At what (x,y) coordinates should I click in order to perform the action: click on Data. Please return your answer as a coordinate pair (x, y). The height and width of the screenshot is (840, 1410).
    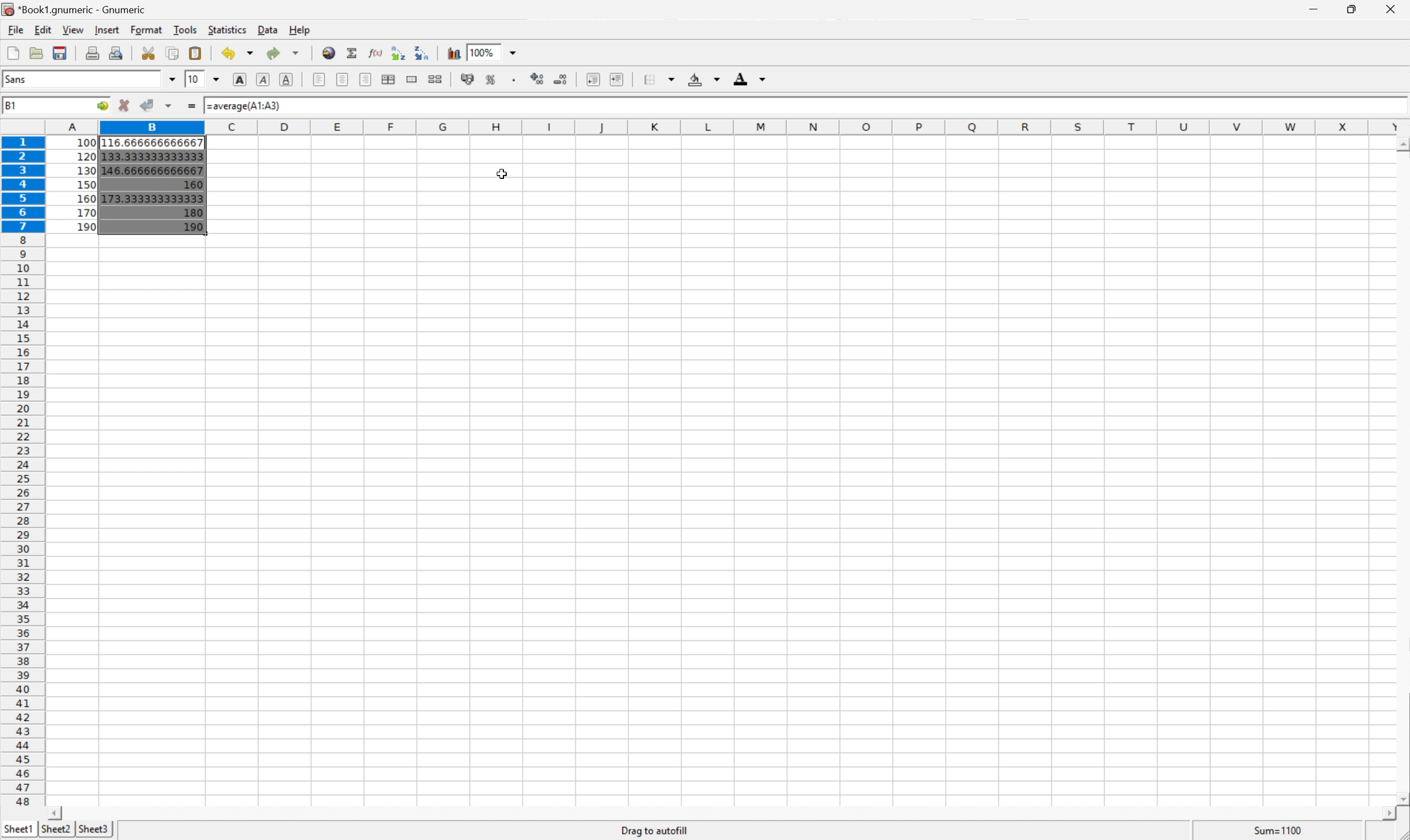
    Looking at the image, I should click on (267, 28).